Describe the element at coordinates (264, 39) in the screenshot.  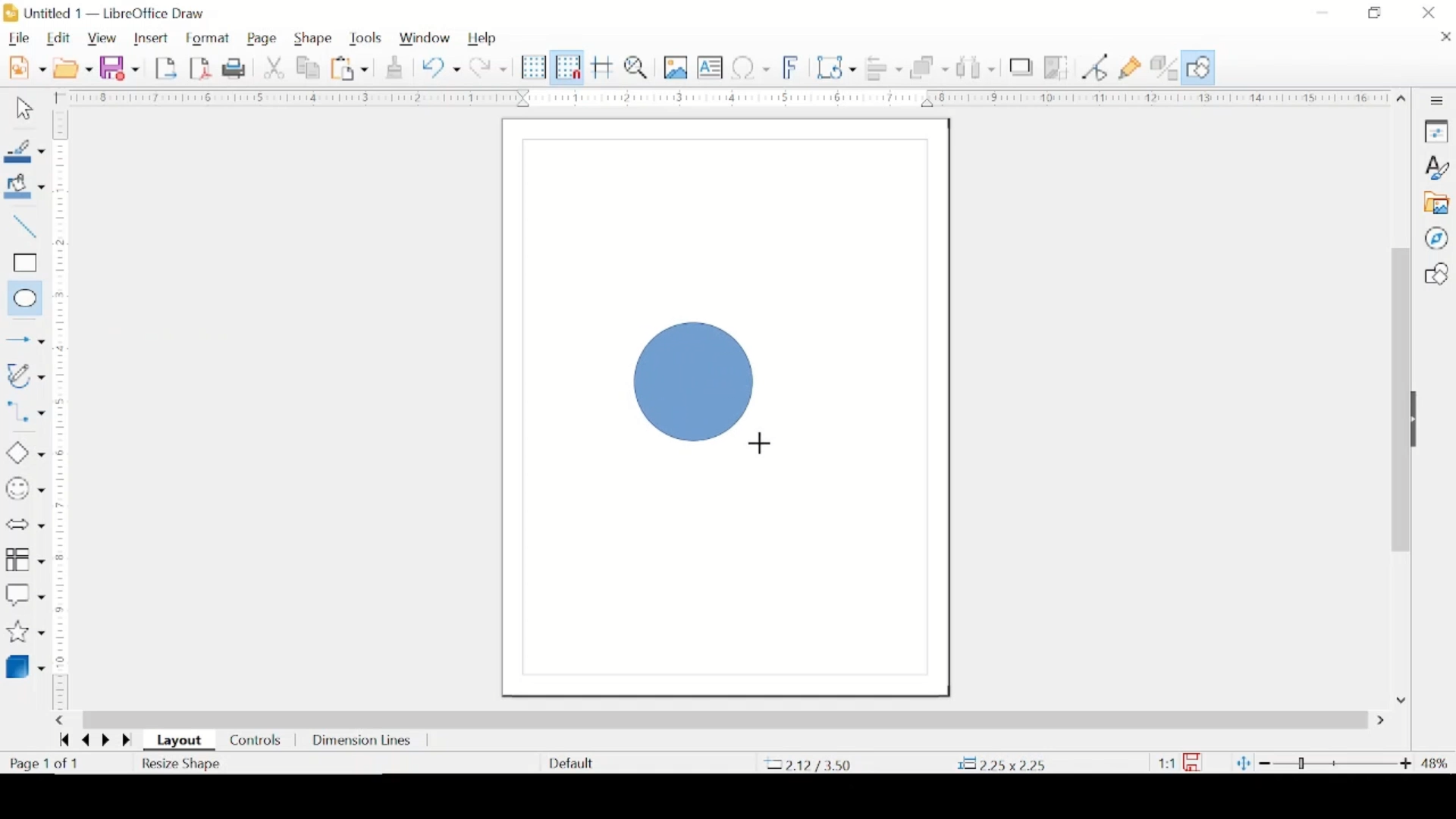
I see `page` at that location.